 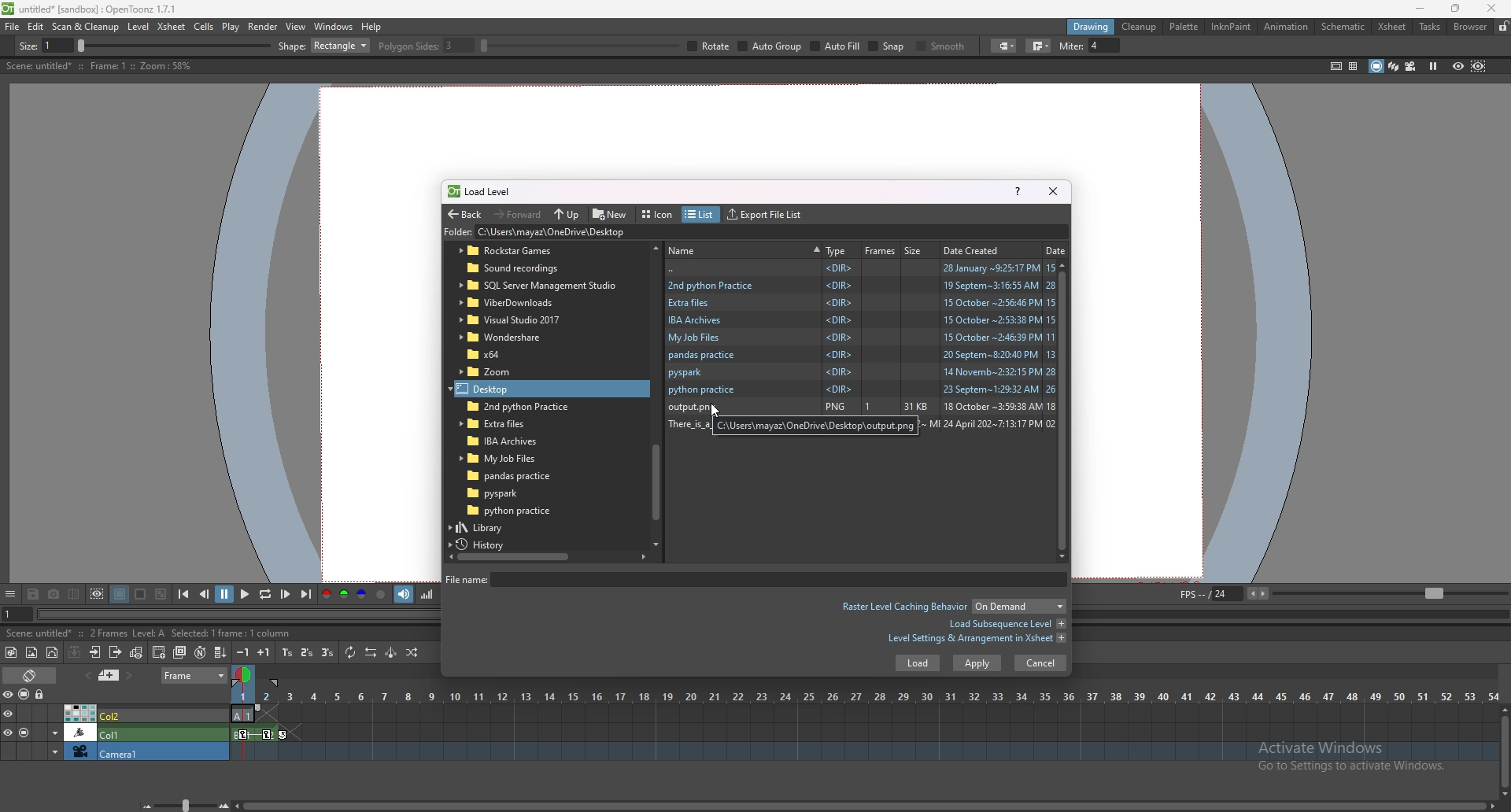 What do you see at coordinates (1278, 46) in the screenshot?
I see `cap` at bounding box center [1278, 46].